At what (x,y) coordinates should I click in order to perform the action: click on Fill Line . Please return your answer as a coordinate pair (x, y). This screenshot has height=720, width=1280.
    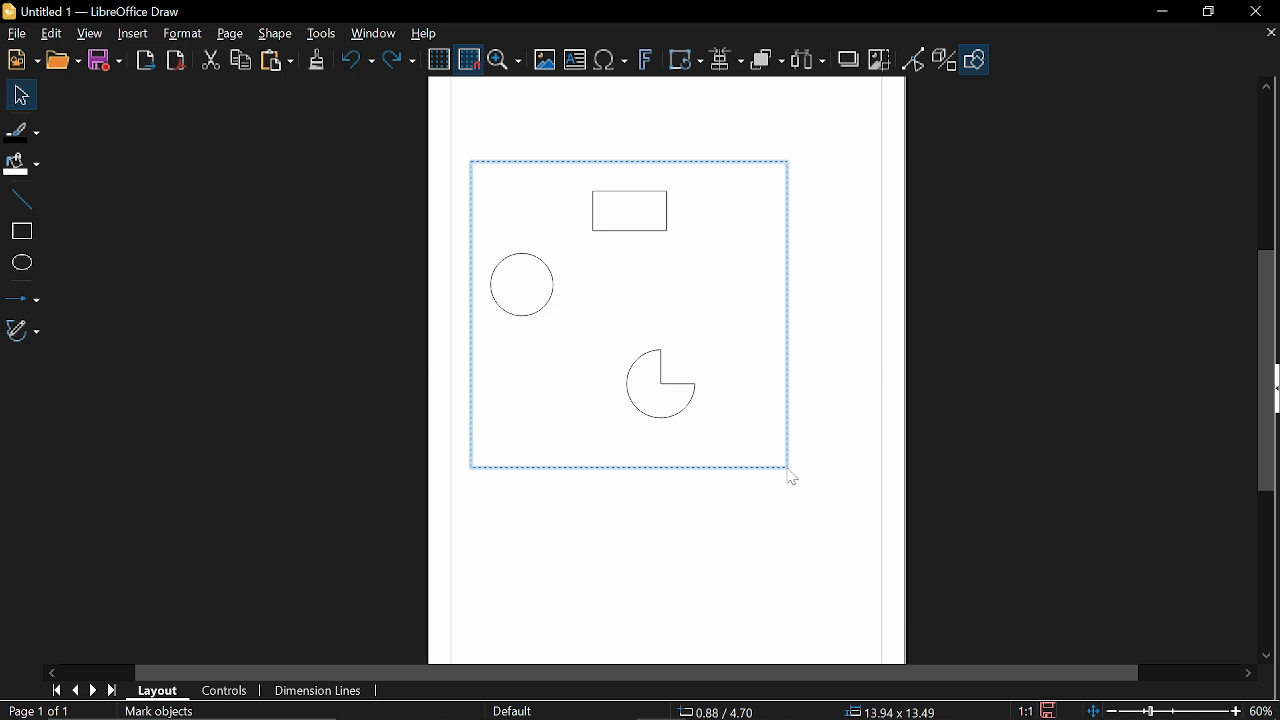
    Looking at the image, I should click on (22, 131).